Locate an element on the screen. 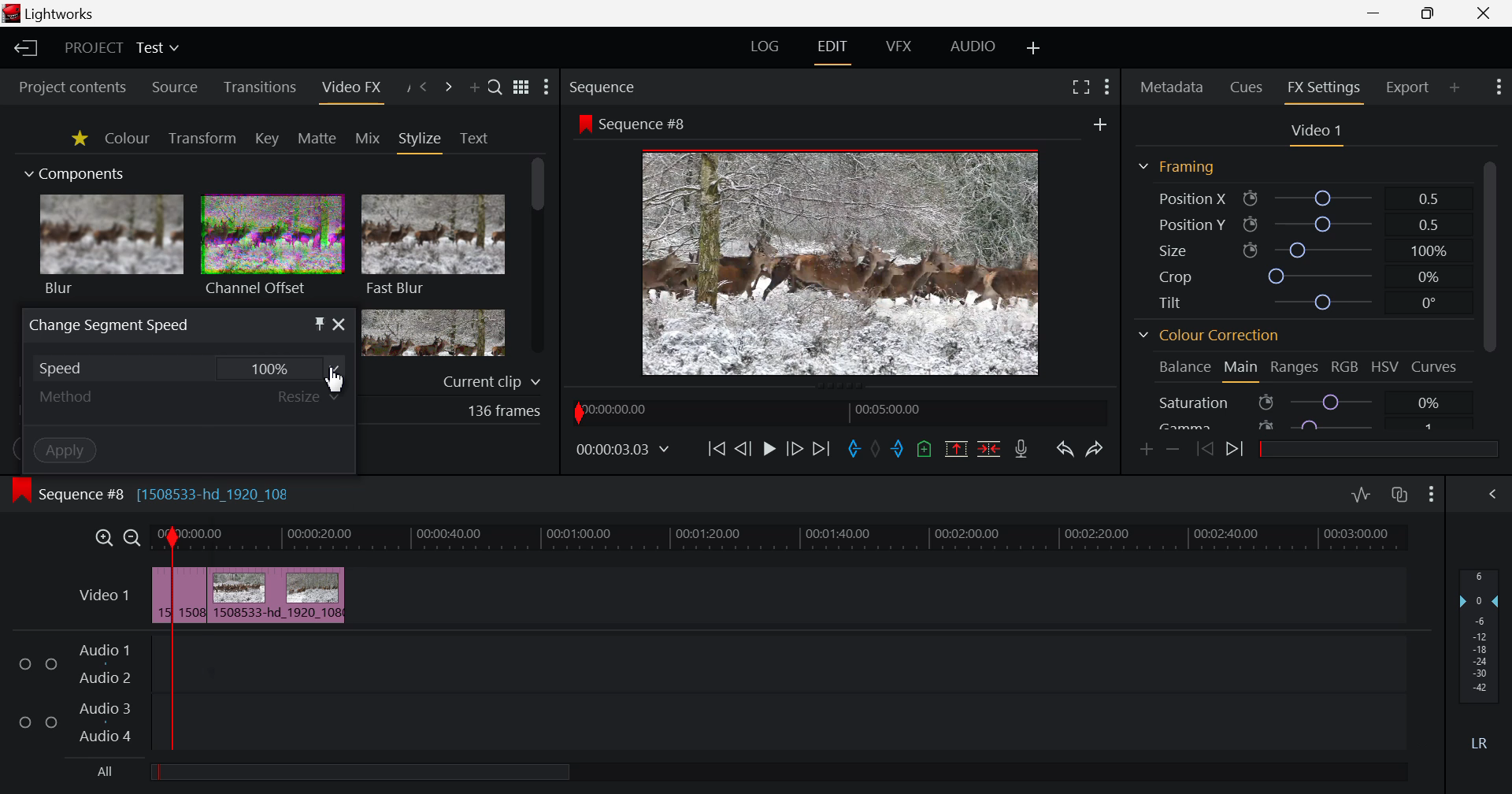  Size is located at coordinates (1299, 250).